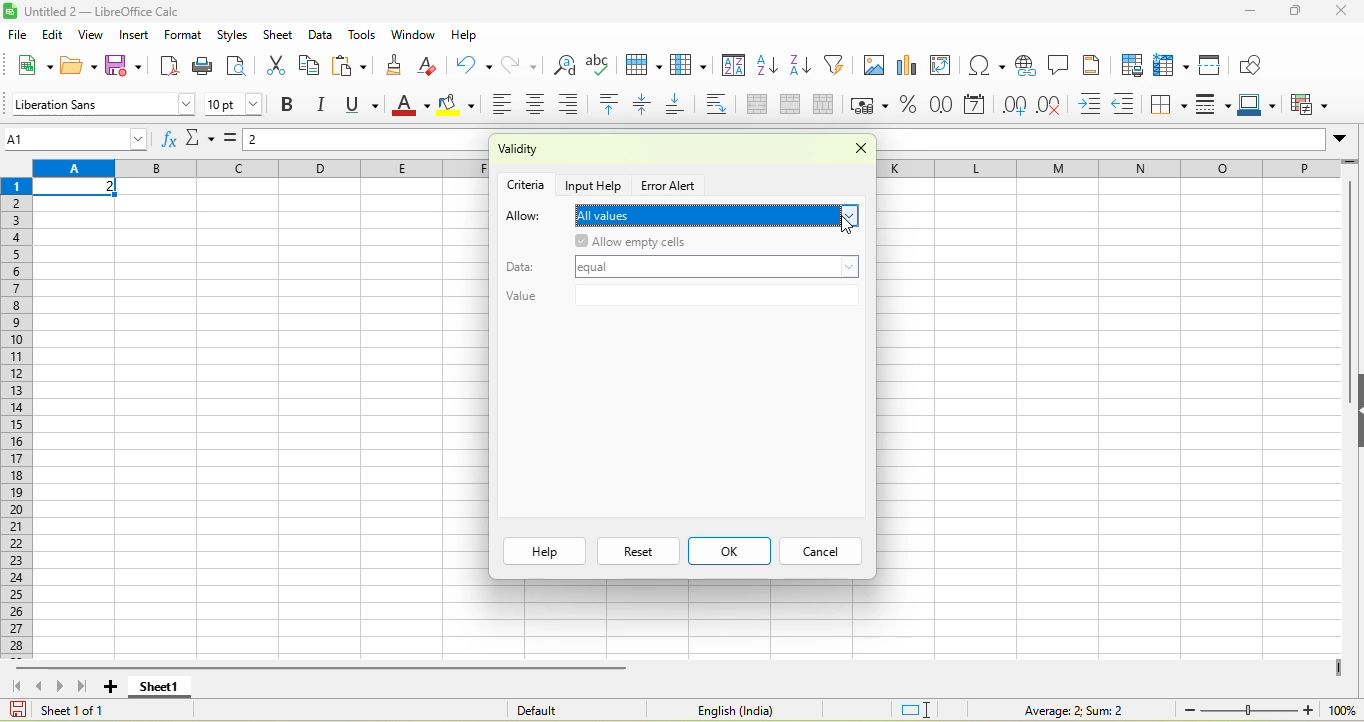 The width and height of the screenshot is (1364, 722). What do you see at coordinates (638, 551) in the screenshot?
I see `reset` at bounding box center [638, 551].